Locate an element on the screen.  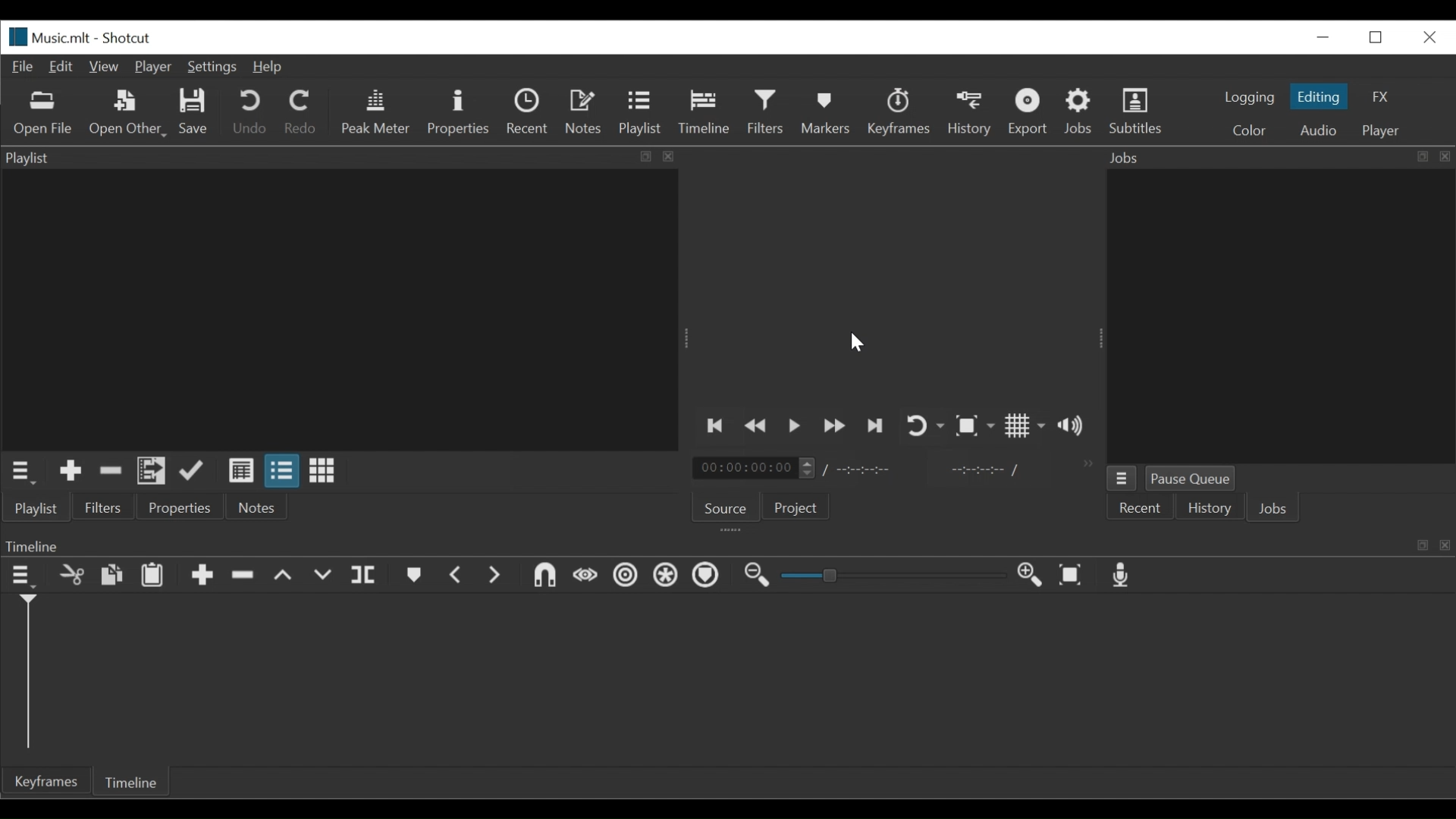
File is located at coordinates (24, 68).